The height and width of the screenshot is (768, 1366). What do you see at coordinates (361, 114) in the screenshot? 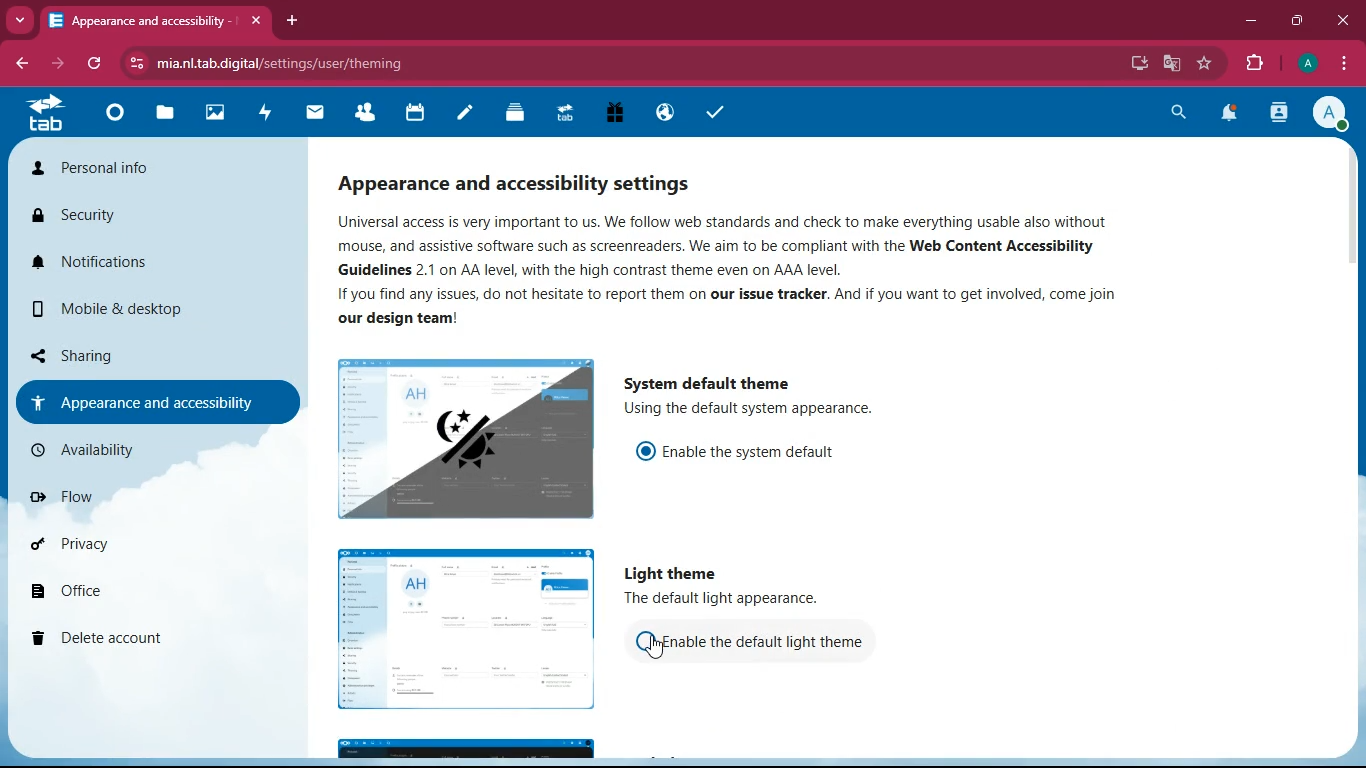
I see `friends` at bounding box center [361, 114].